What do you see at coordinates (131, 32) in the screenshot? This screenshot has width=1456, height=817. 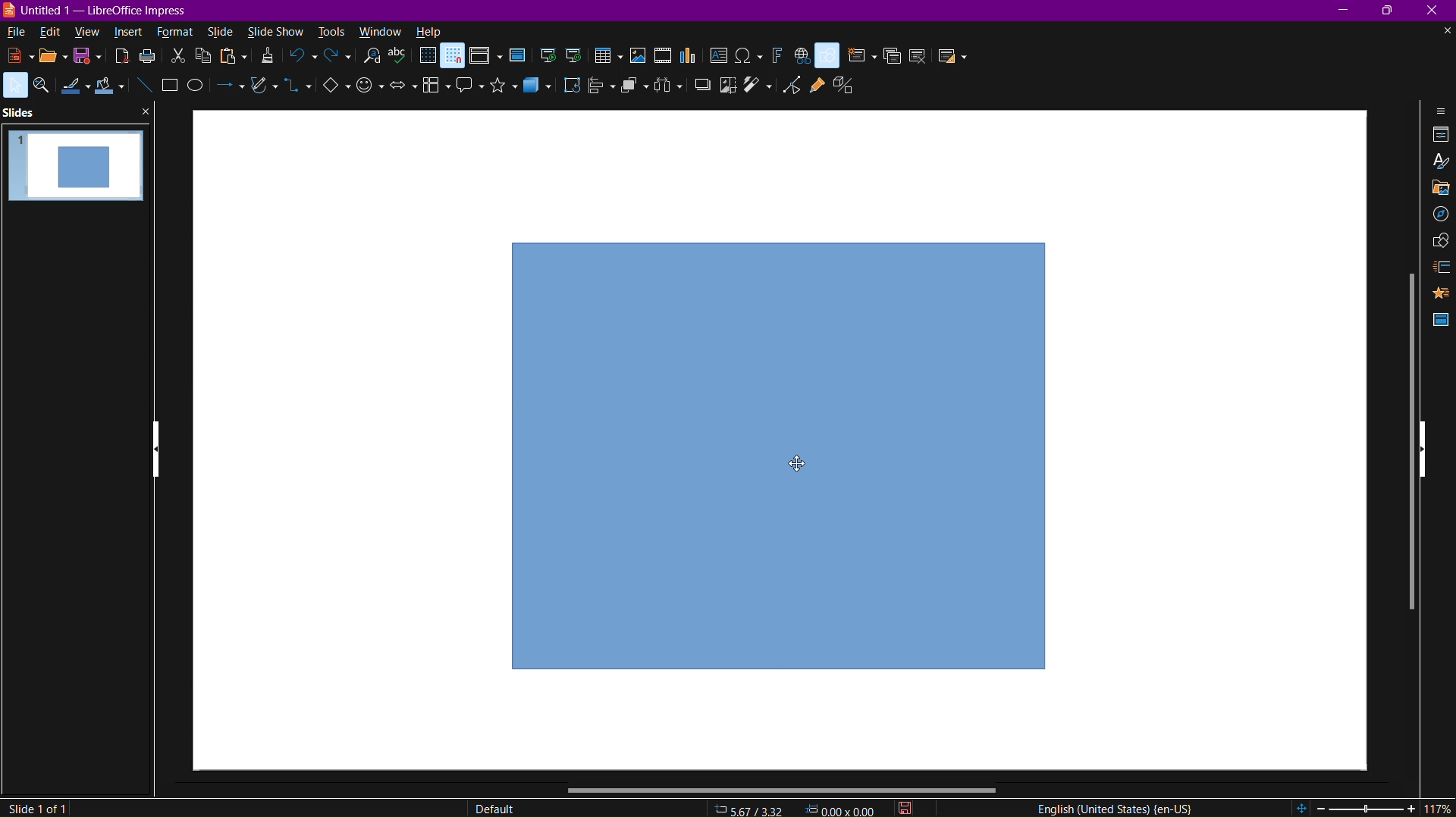 I see `insert` at bounding box center [131, 32].